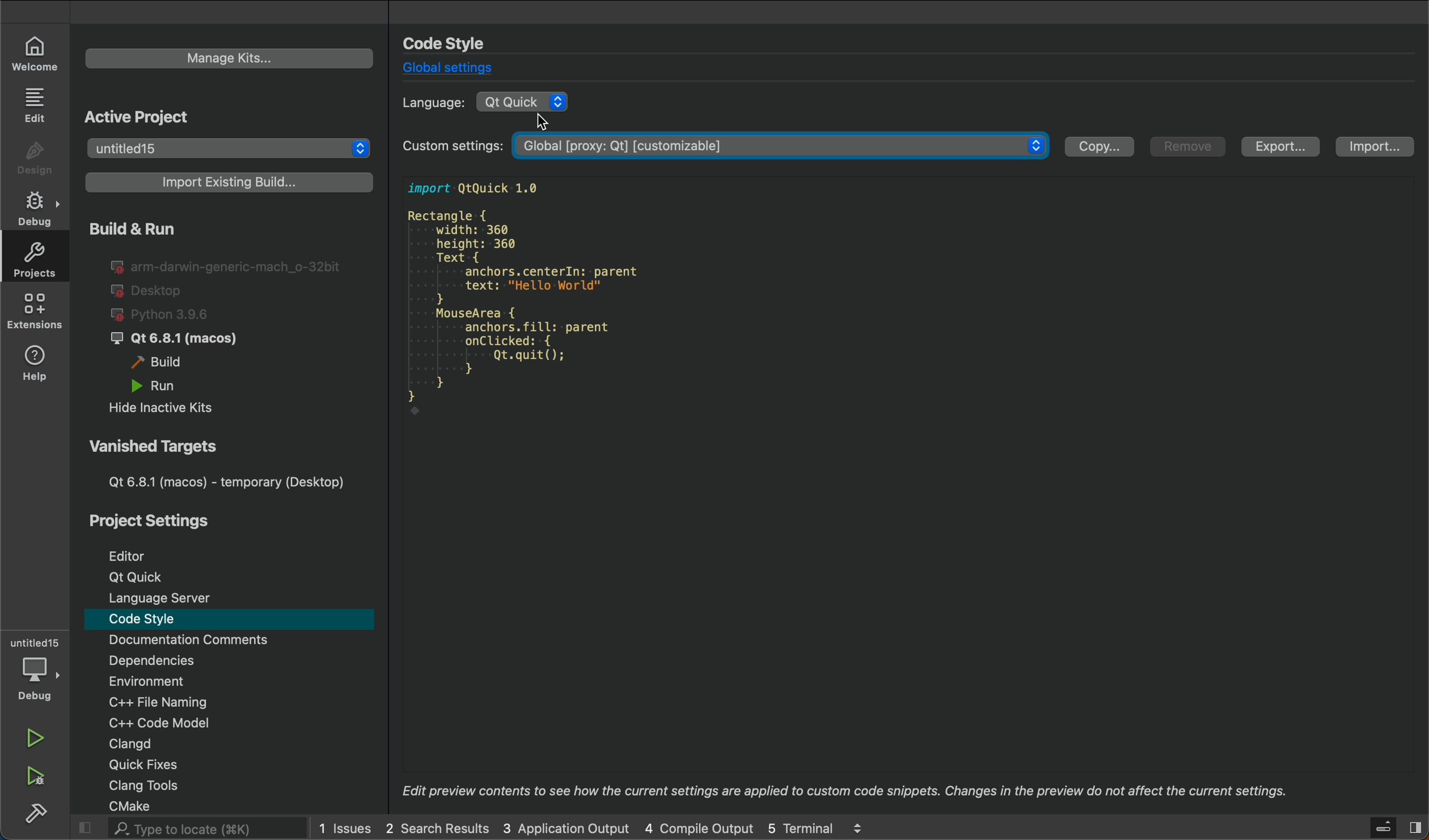 This screenshot has height=840, width=1429. Describe the element at coordinates (719, 147) in the screenshot. I see `custom setting` at that location.